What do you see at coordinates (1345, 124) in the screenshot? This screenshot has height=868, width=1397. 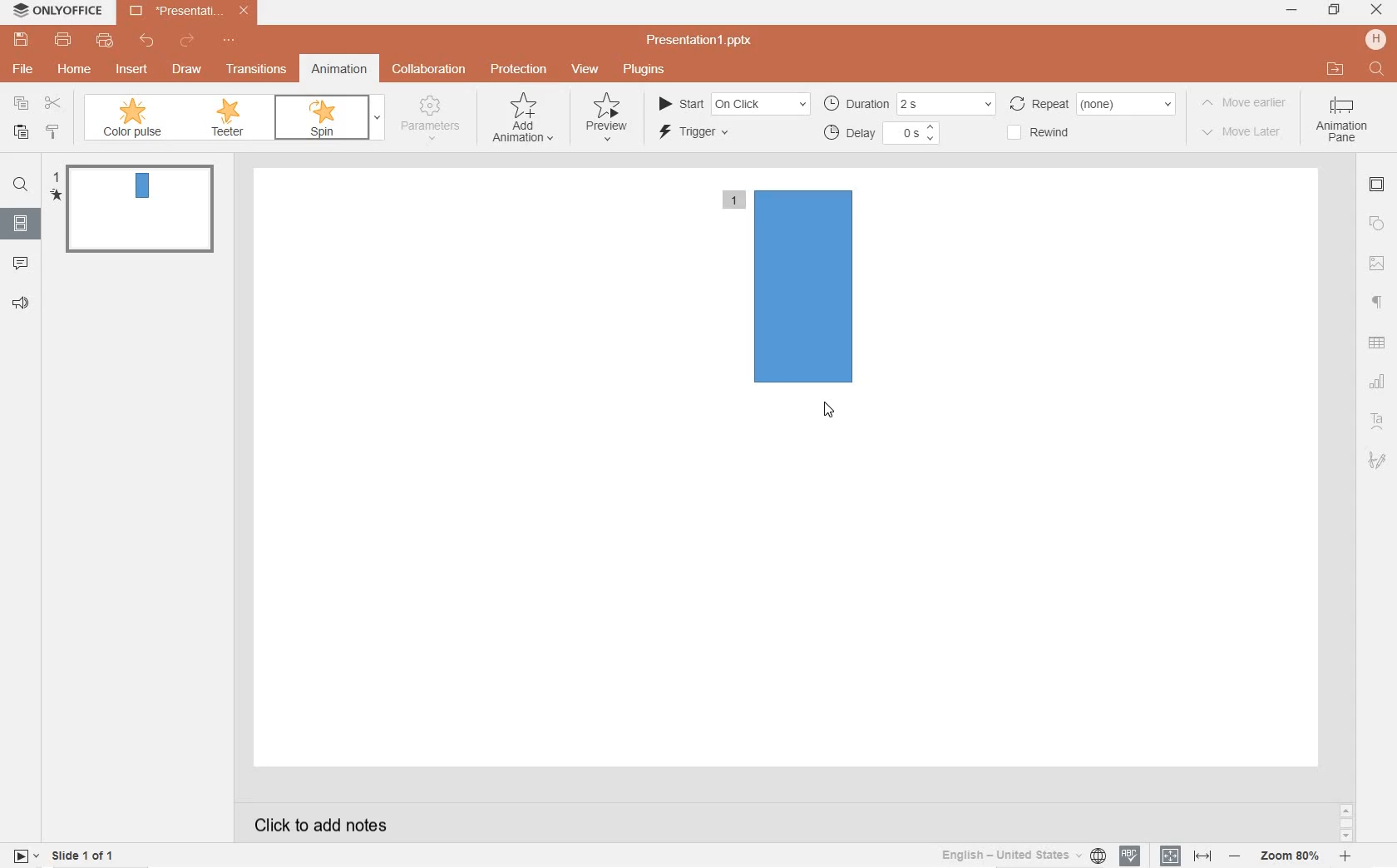 I see `animation pane` at bounding box center [1345, 124].